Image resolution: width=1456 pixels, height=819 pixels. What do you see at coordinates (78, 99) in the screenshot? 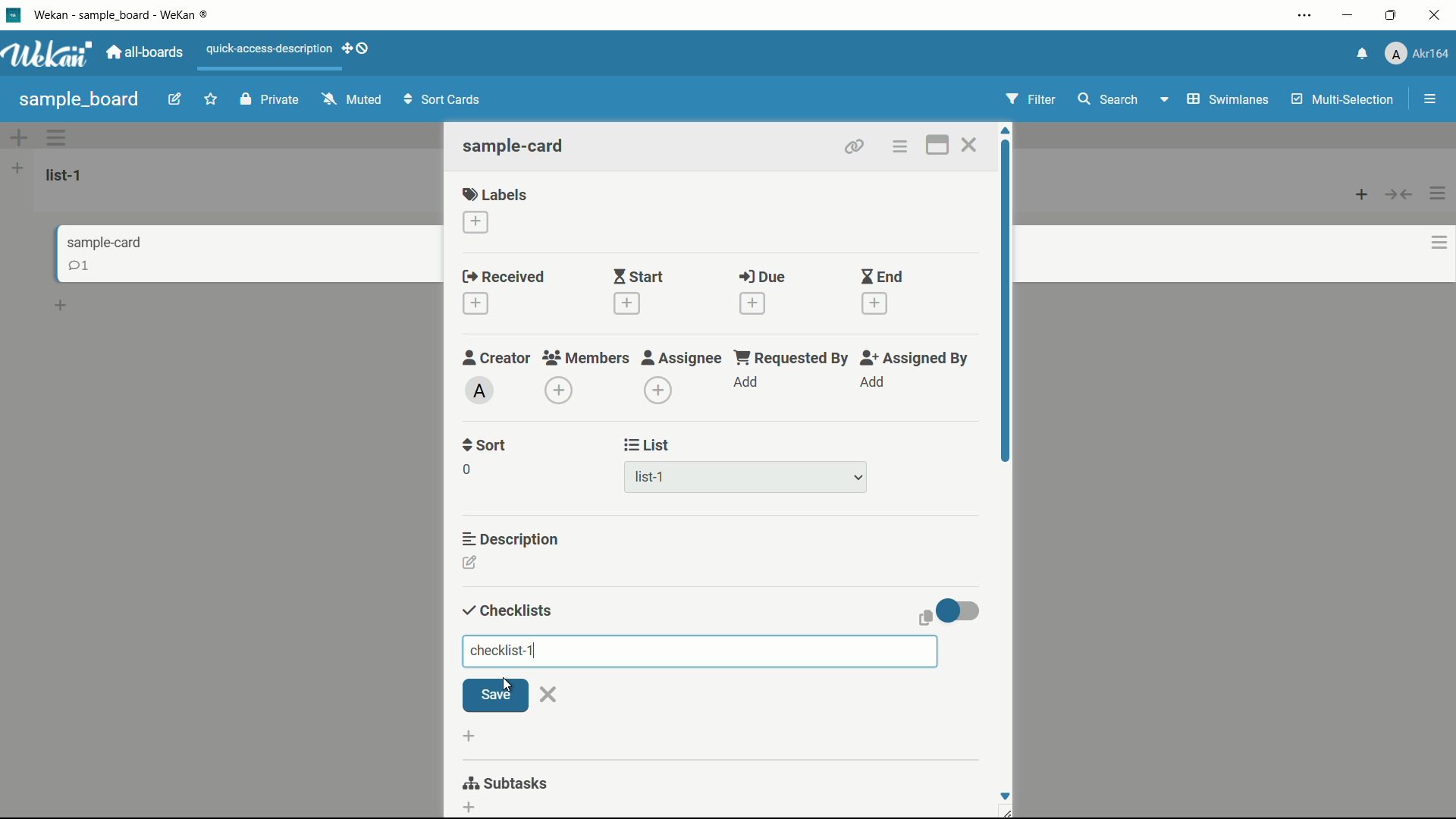
I see `sample board` at bounding box center [78, 99].